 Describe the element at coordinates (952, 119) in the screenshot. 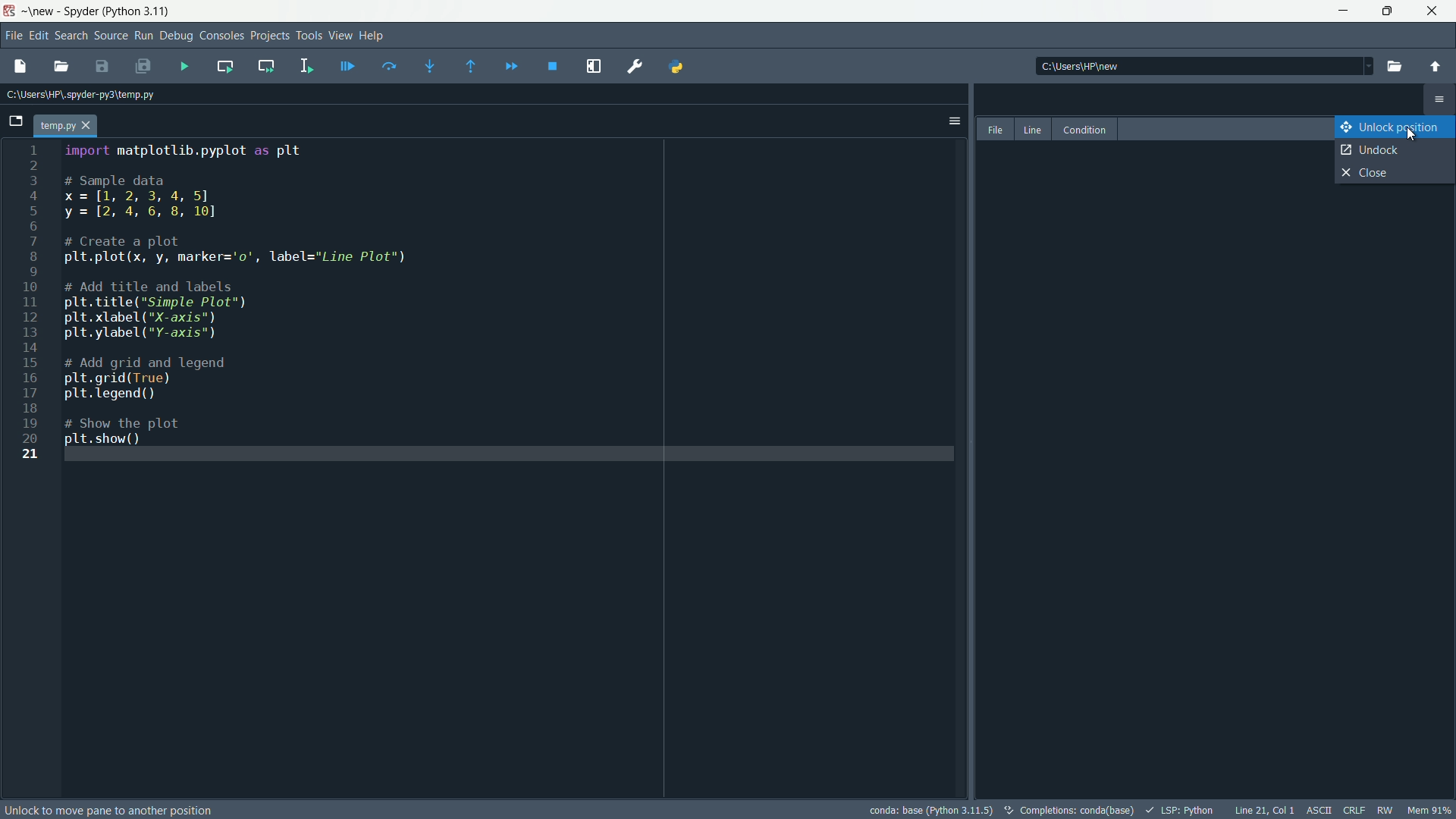

I see `options` at that location.